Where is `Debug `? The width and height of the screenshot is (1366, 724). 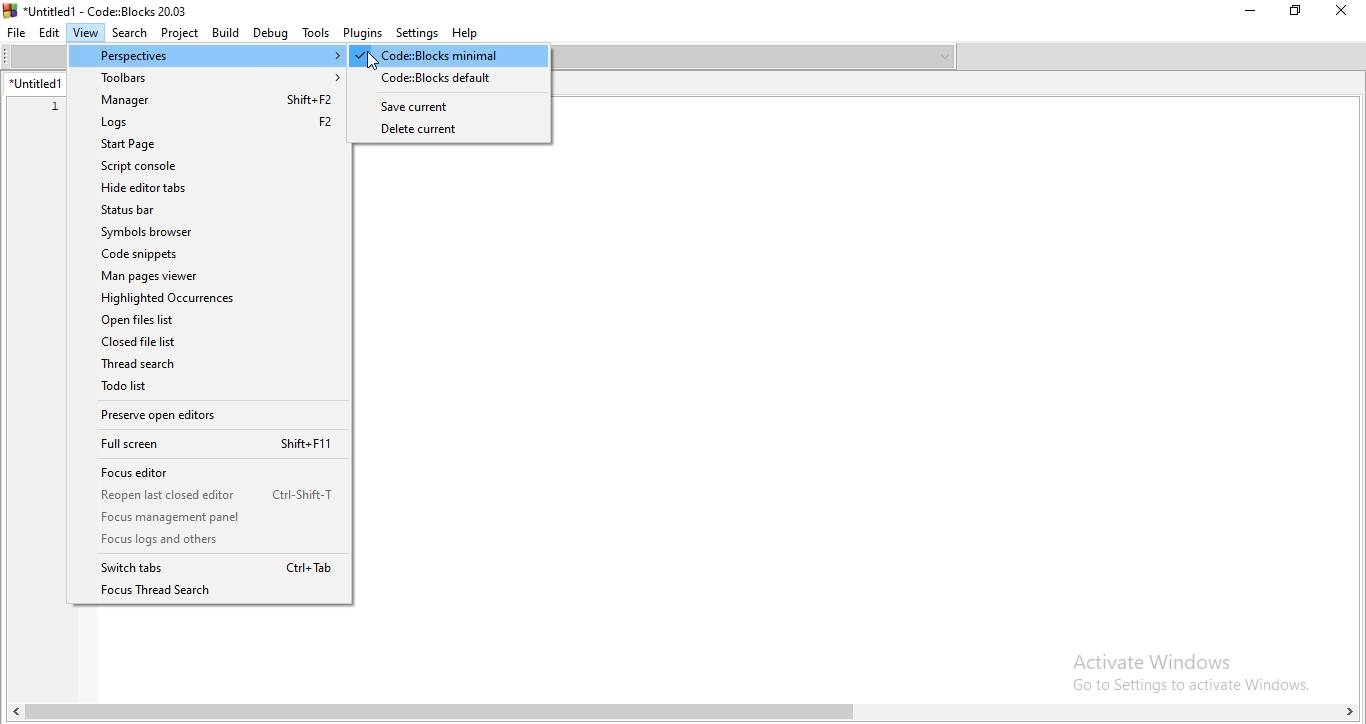
Debug  is located at coordinates (270, 31).